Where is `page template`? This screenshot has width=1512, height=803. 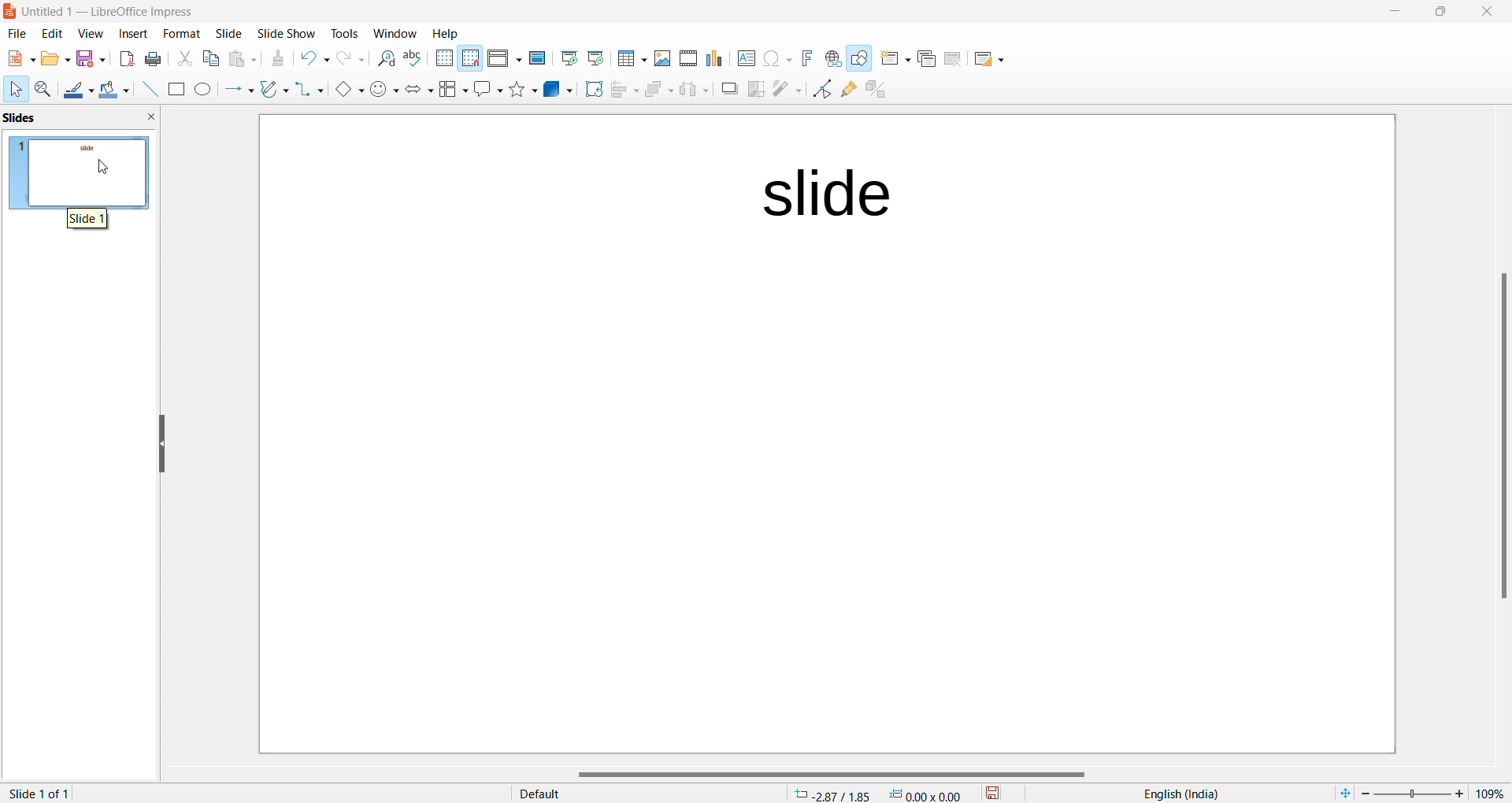
page template is located at coordinates (821, 436).